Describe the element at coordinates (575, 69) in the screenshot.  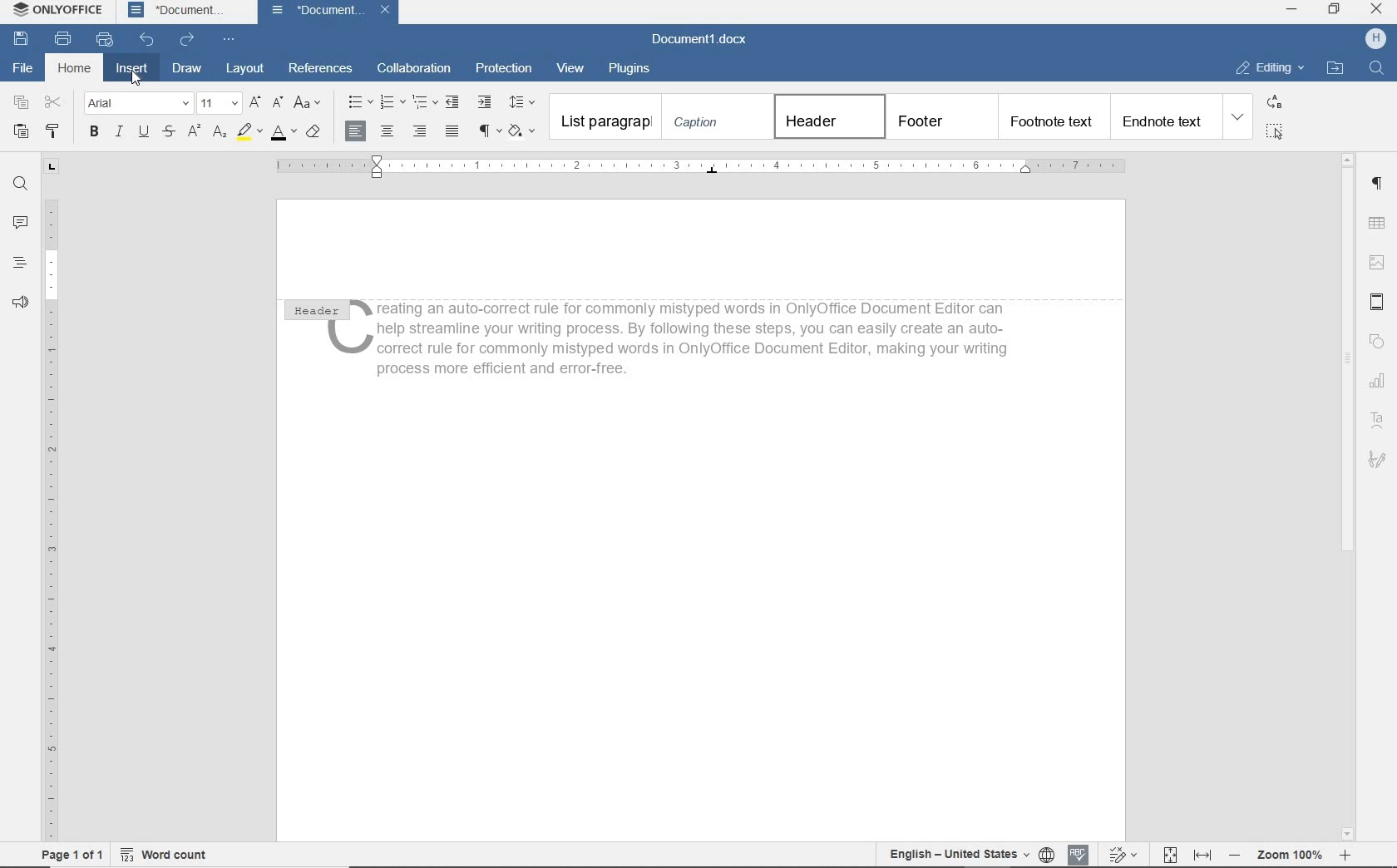
I see `VIEW` at that location.